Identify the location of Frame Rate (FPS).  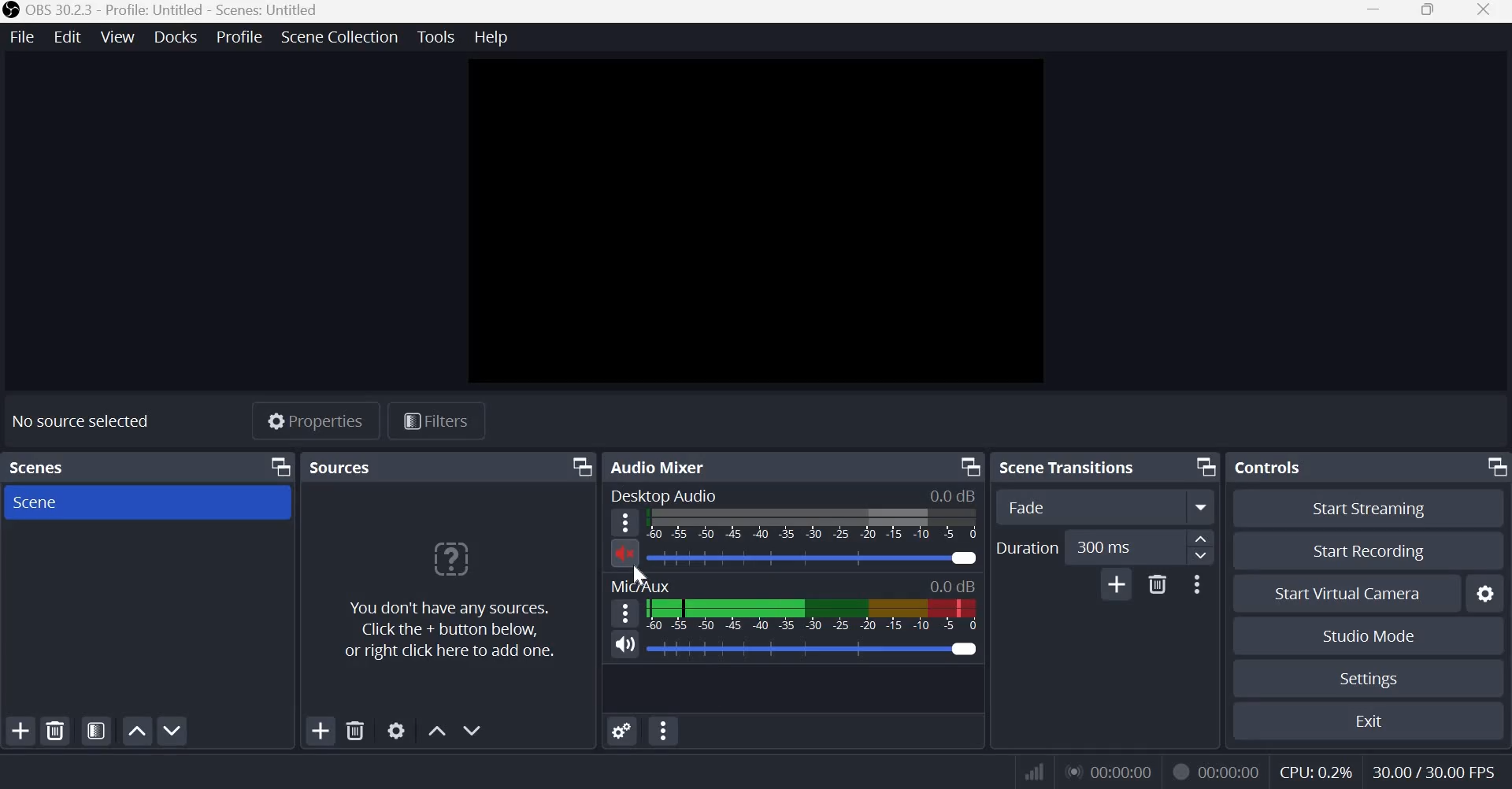
(1432, 769).